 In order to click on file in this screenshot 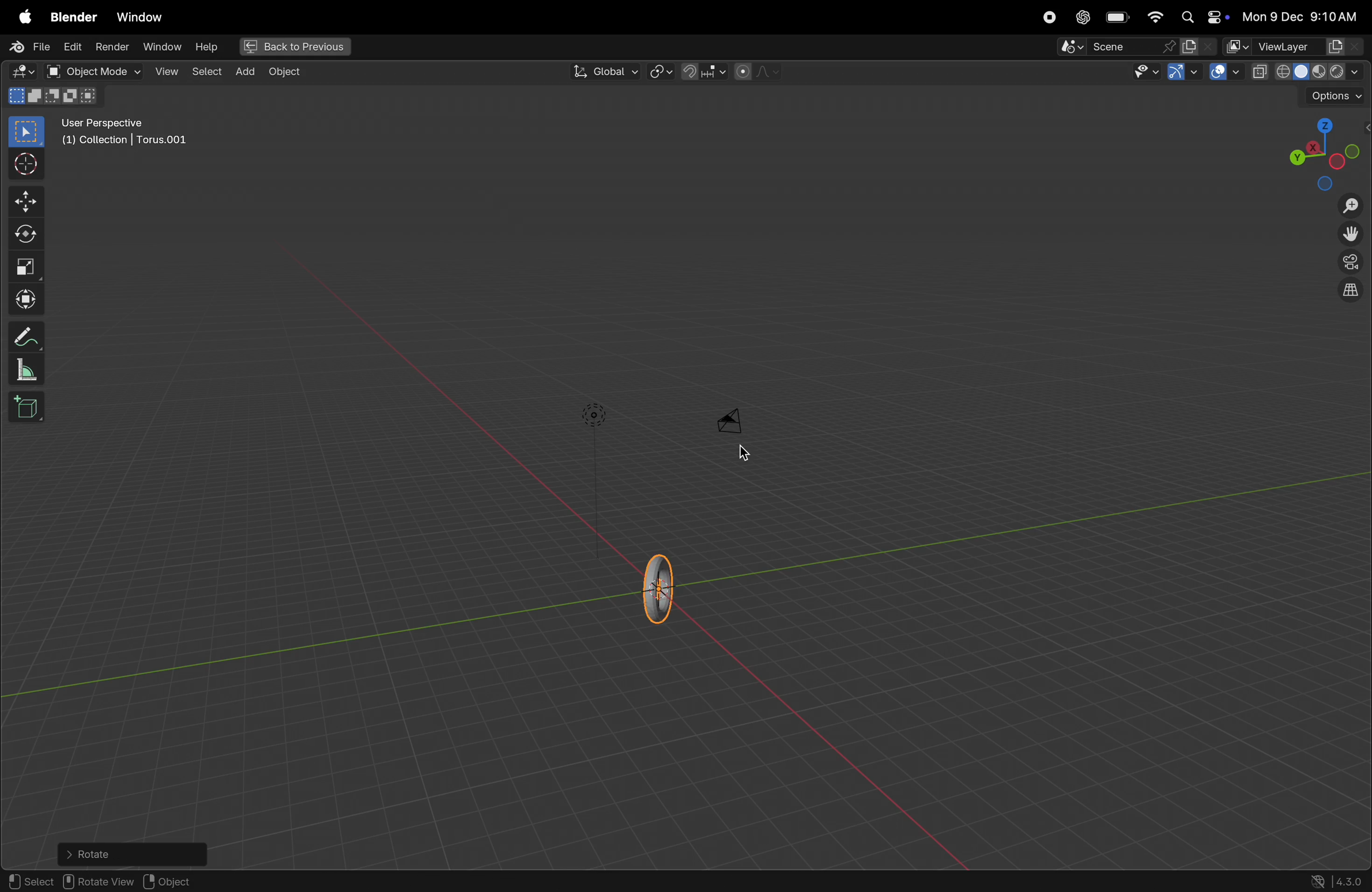, I will do `click(27, 47)`.